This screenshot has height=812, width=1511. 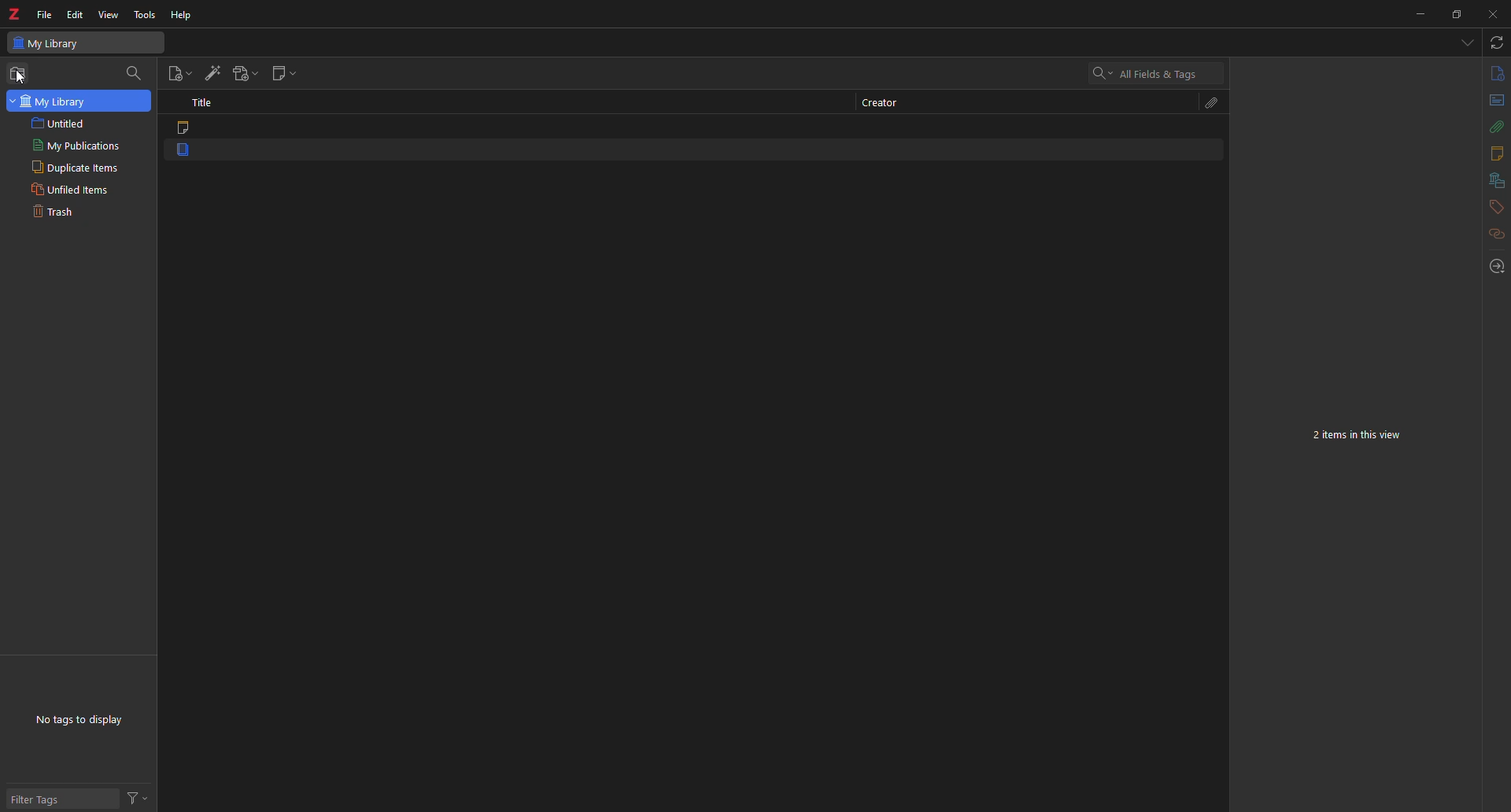 What do you see at coordinates (72, 188) in the screenshot?
I see `unfiled items` at bounding box center [72, 188].